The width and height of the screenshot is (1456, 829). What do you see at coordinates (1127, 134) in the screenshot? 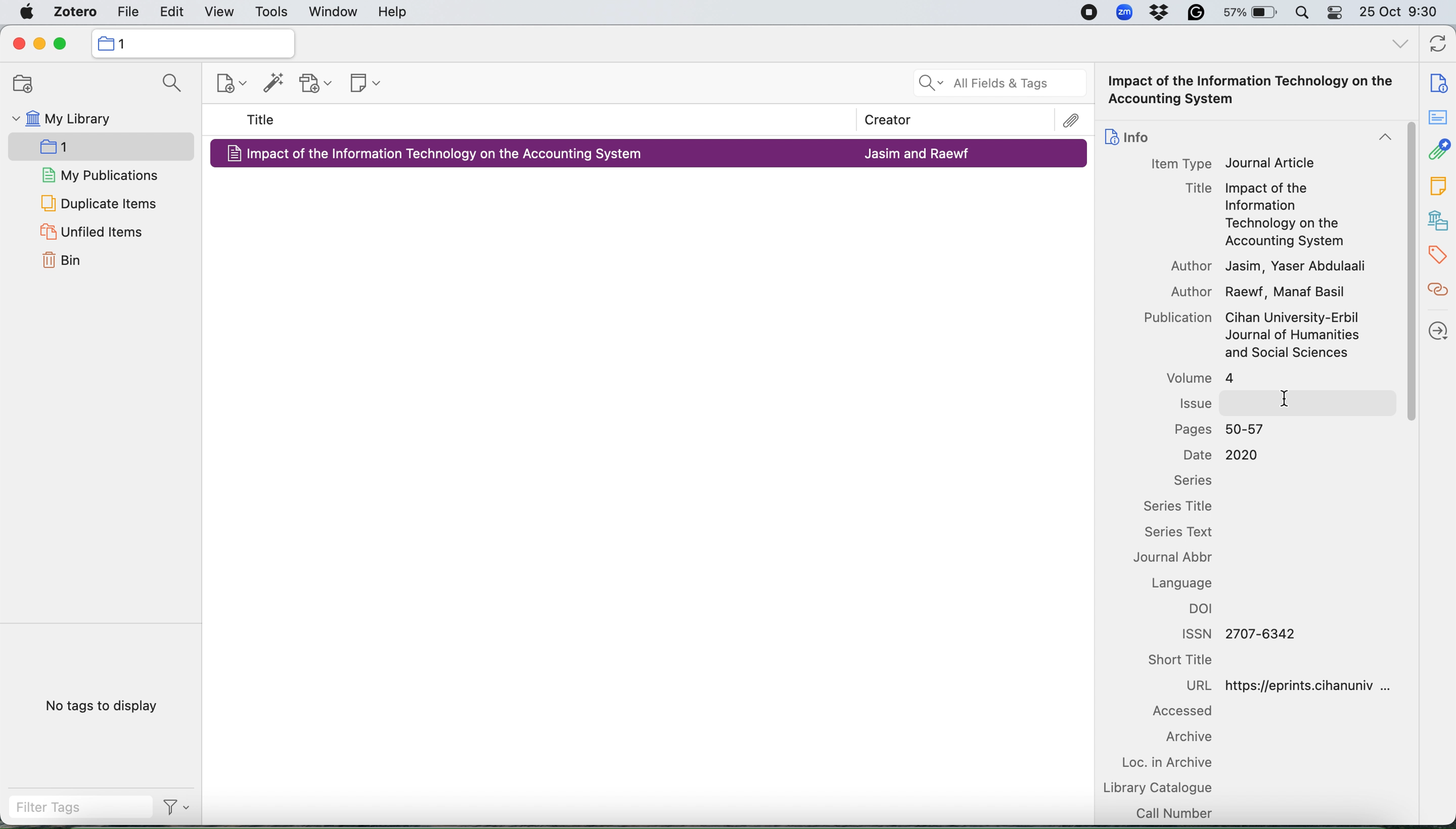
I see `info` at bounding box center [1127, 134].